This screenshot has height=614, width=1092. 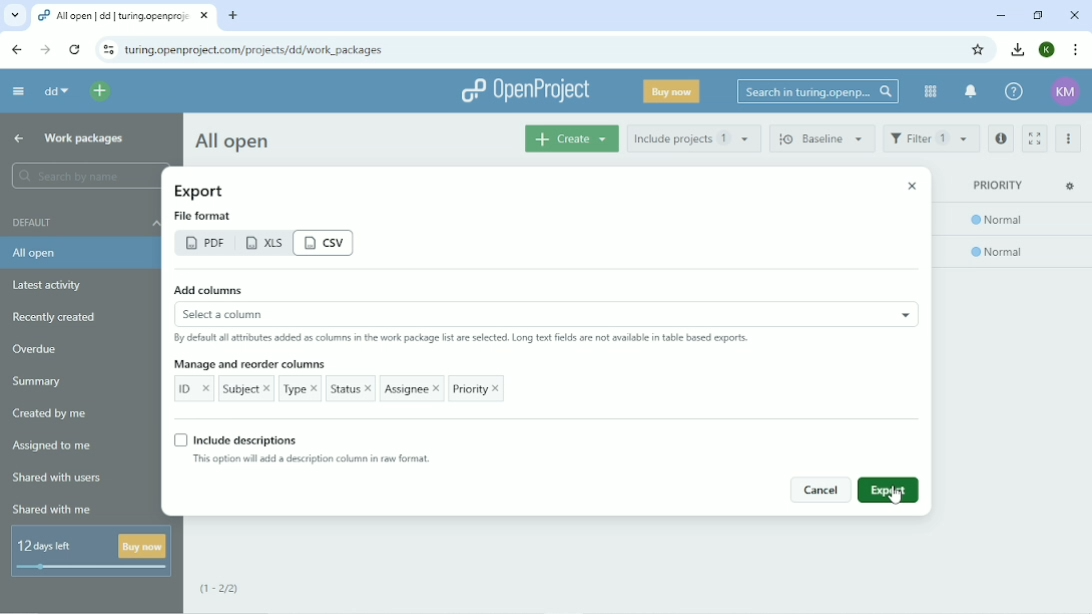 What do you see at coordinates (83, 175) in the screenshot?
I see `Search by name` at bounding box center [83, 175].